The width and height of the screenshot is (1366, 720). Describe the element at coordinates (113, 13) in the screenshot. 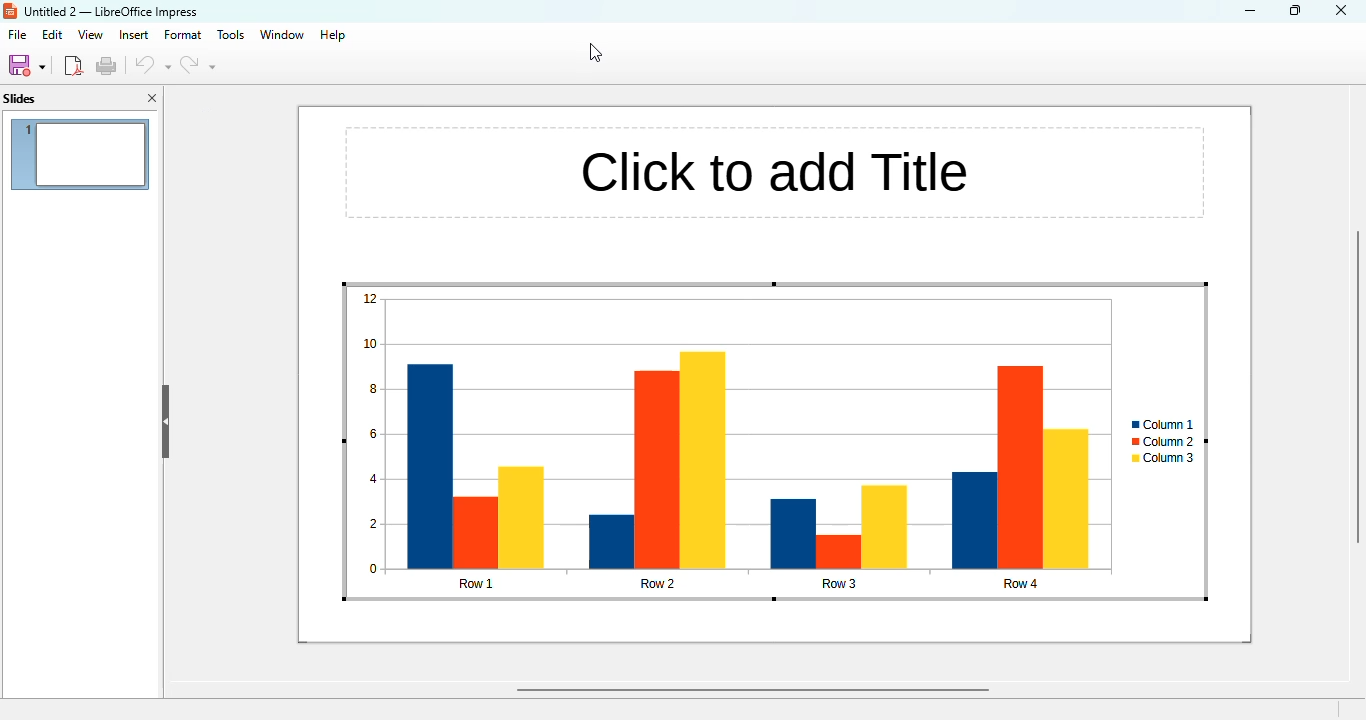

I see `title` at that location.